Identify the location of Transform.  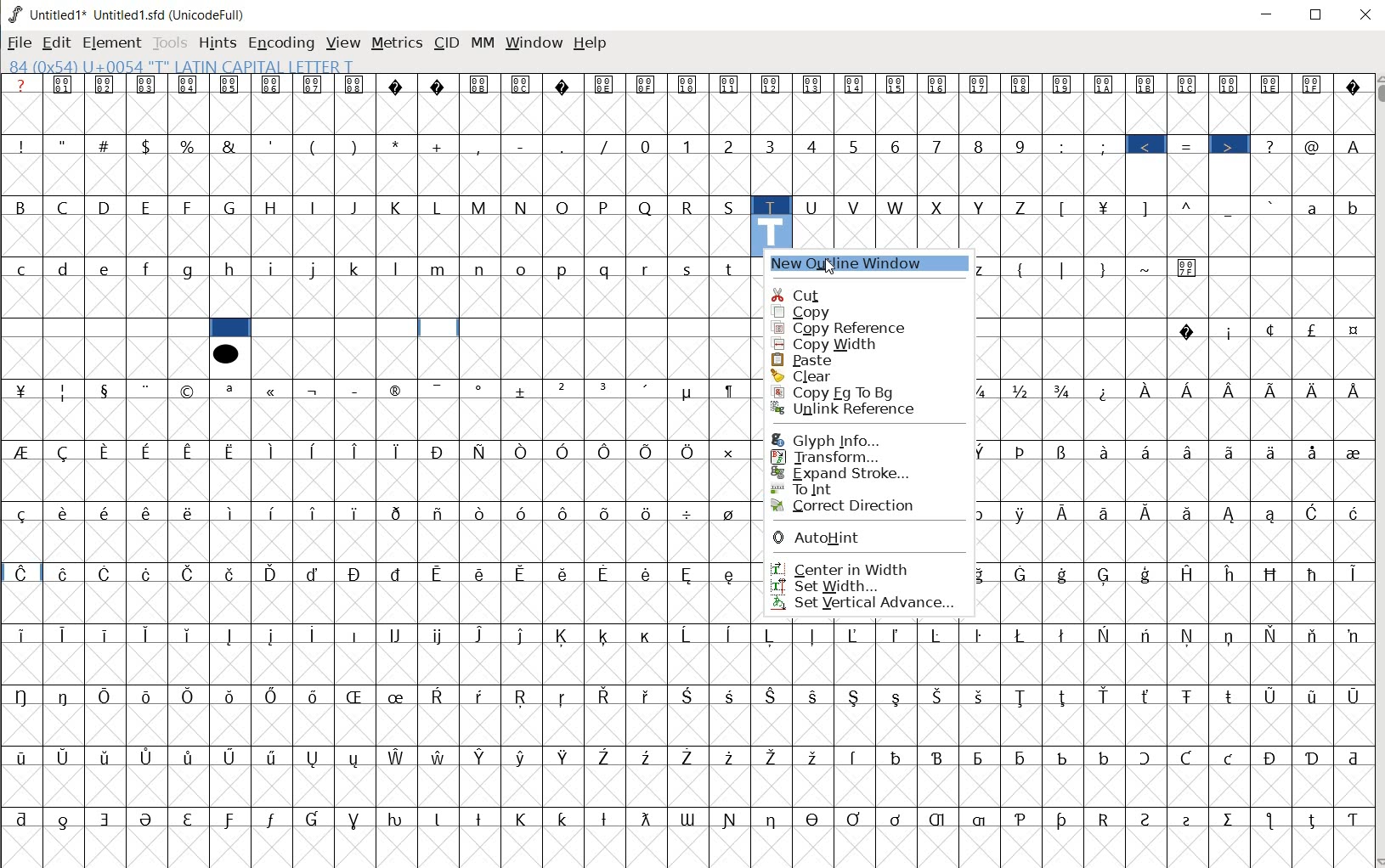
(828, 458).